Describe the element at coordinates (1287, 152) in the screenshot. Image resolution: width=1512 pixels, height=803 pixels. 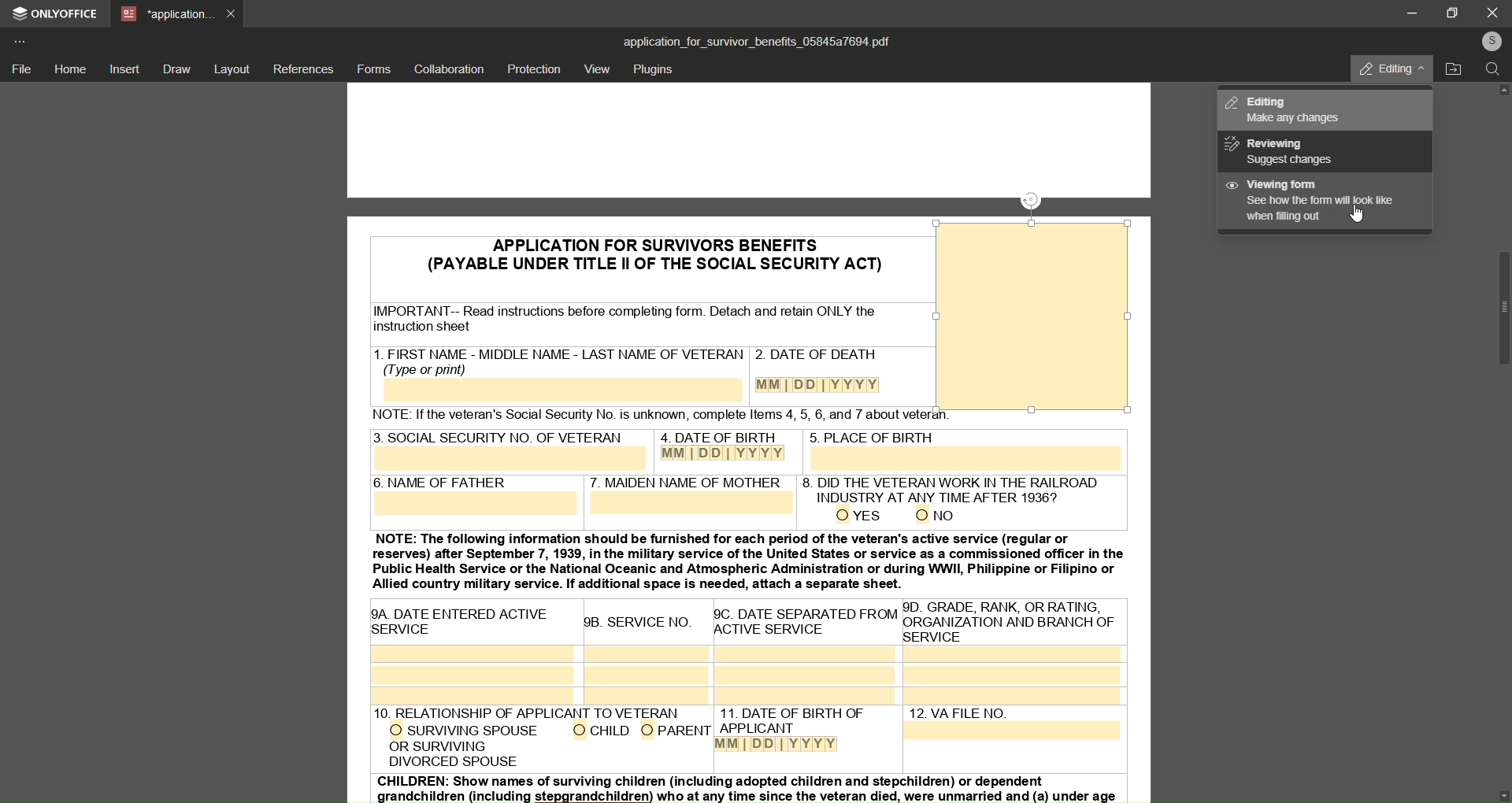
I see `reviewing` at that location.